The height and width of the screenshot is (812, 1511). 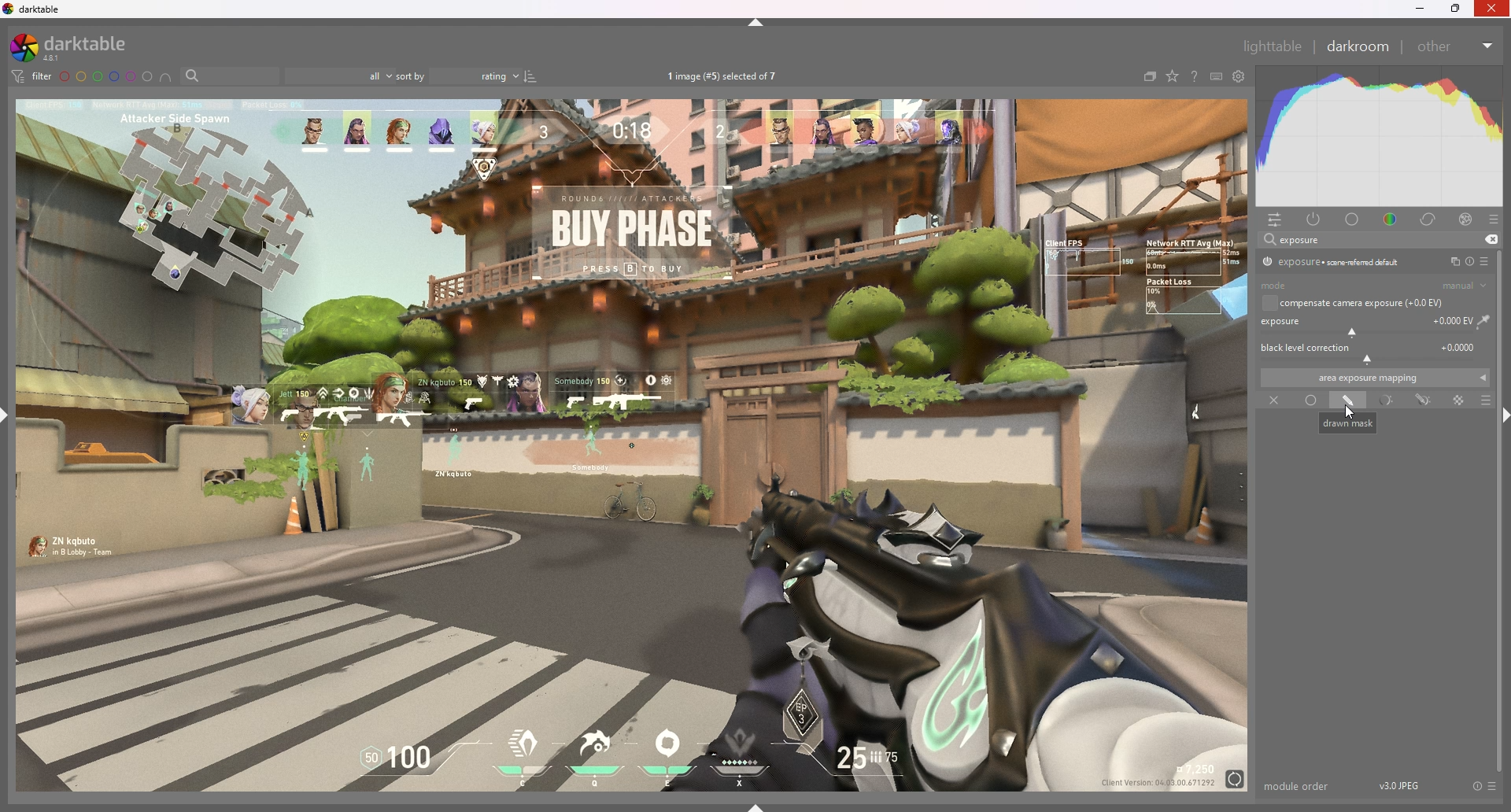 I want to click on area exposure mapping, so click(x=1375, y=378).